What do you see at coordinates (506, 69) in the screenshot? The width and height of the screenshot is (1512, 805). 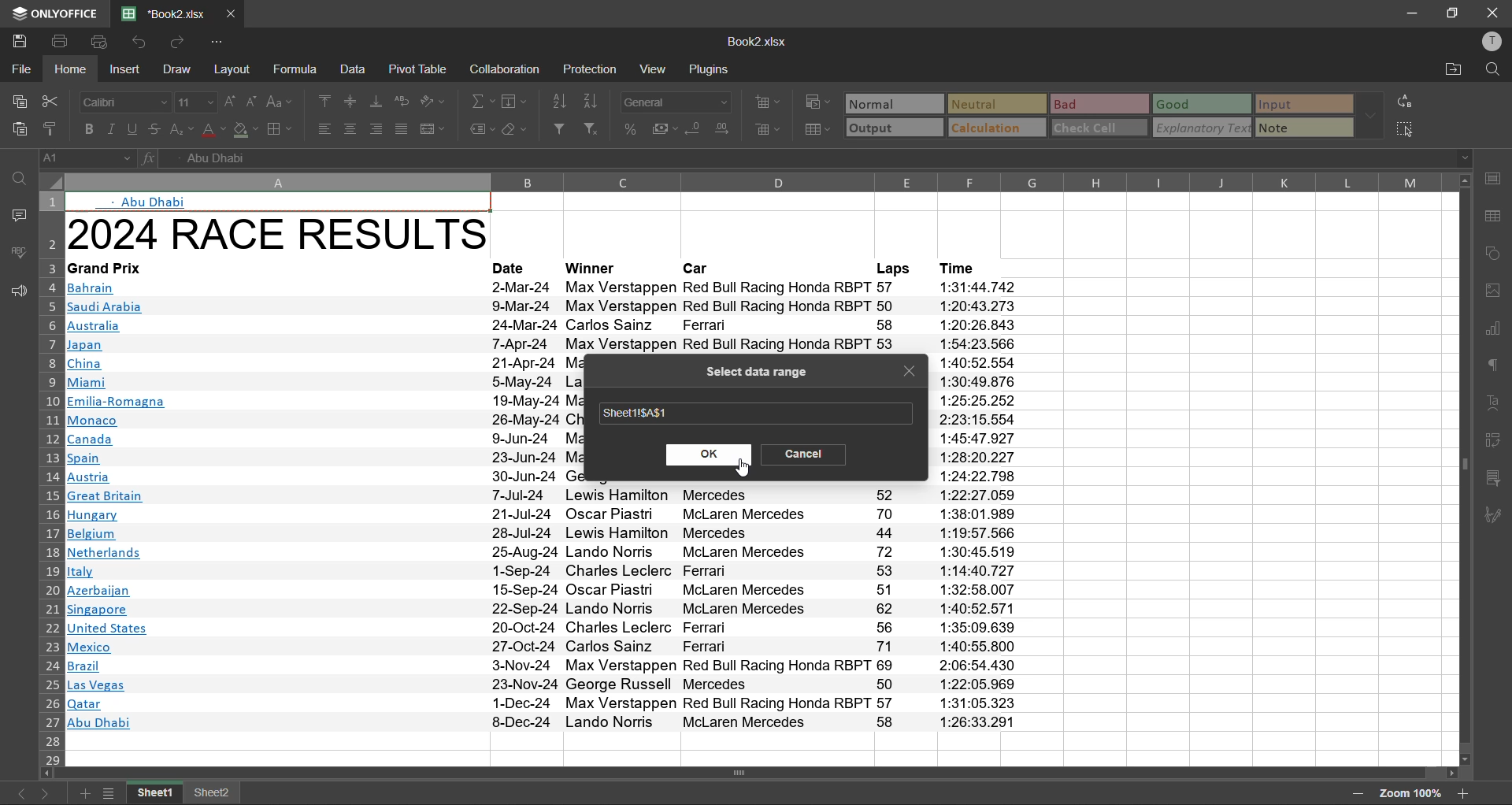 I see `collaboration` at bounding box center [506, 69].